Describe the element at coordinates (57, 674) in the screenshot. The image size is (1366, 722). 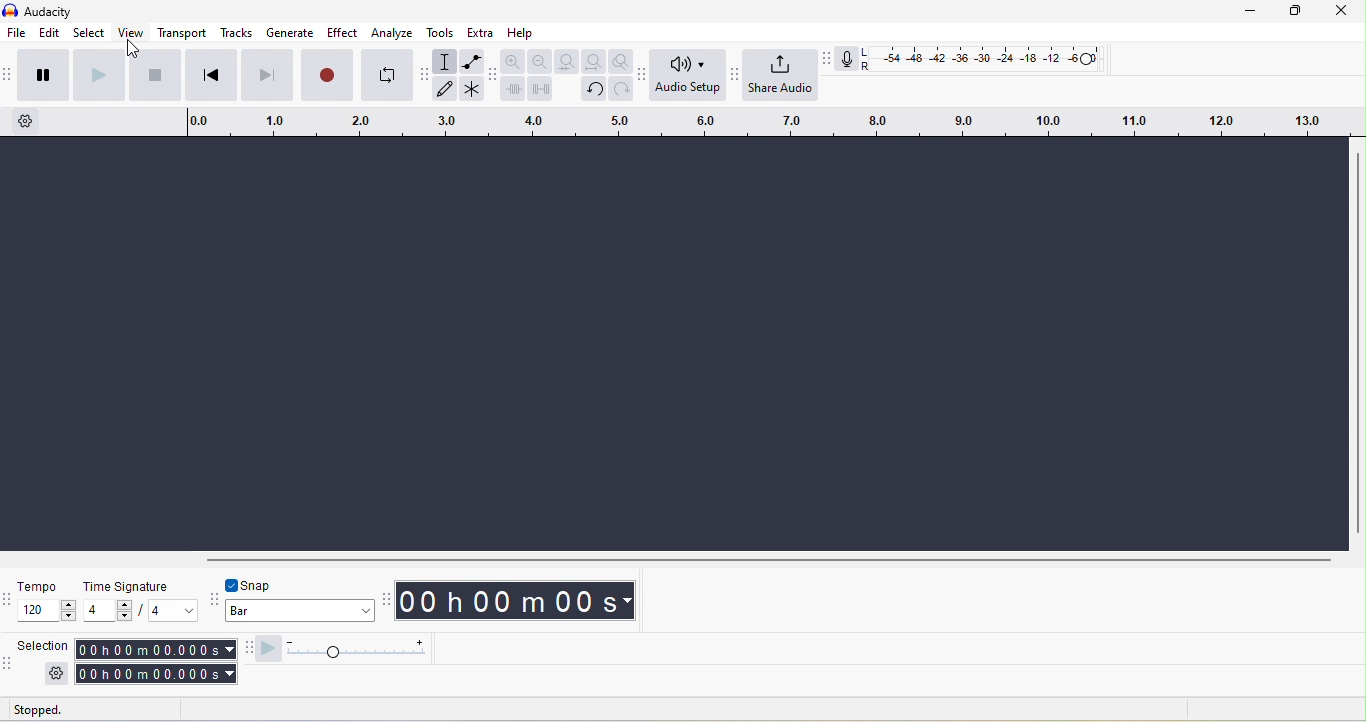
I see `selection settings` at that location.